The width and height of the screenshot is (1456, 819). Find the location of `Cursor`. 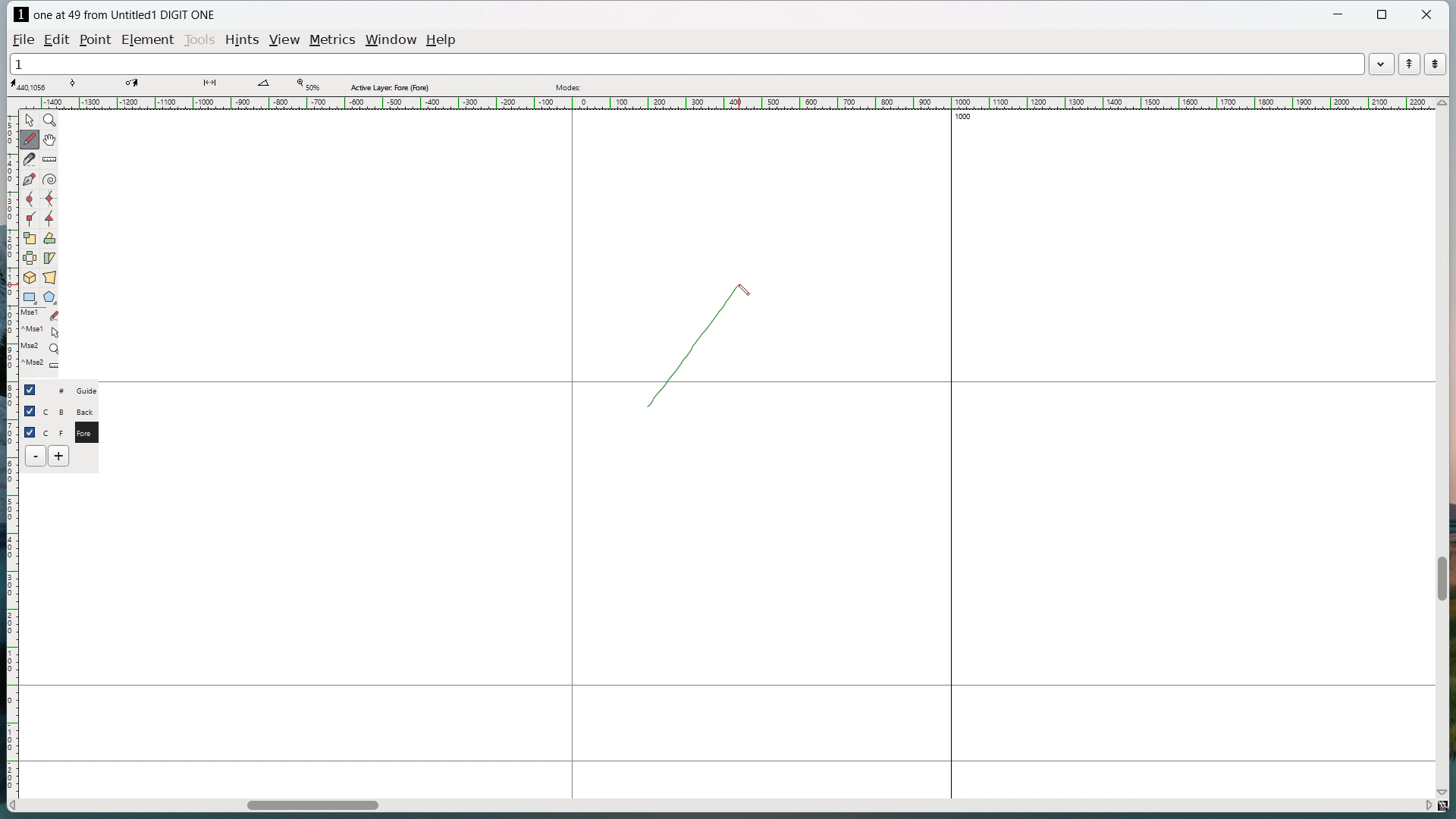

Cursor is located at coordinates (746, 288).